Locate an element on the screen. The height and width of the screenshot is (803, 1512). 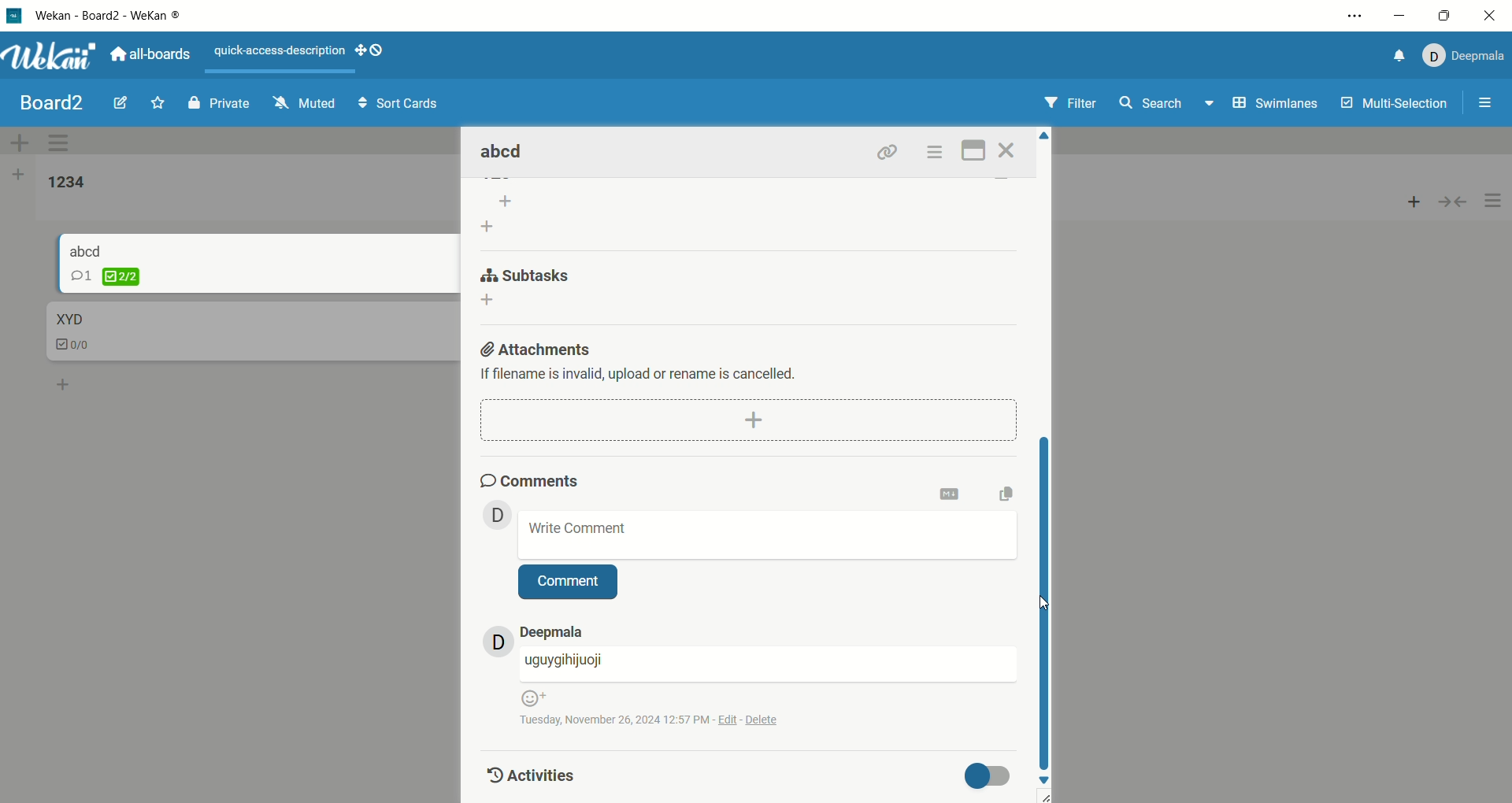
options is located at coordinates (934, 152).